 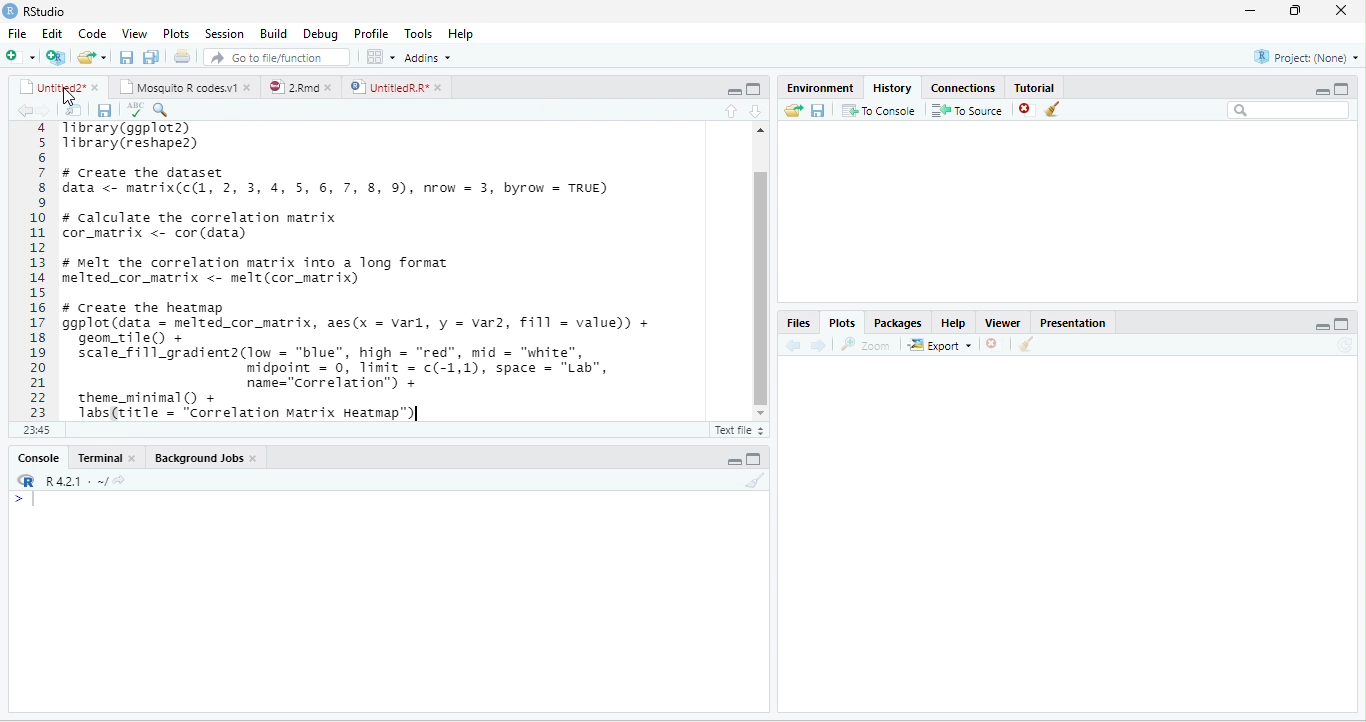 What do you see at coordinates (1021, 110) in the screenshot?
I see `close` at bounding box center [1021, 110].